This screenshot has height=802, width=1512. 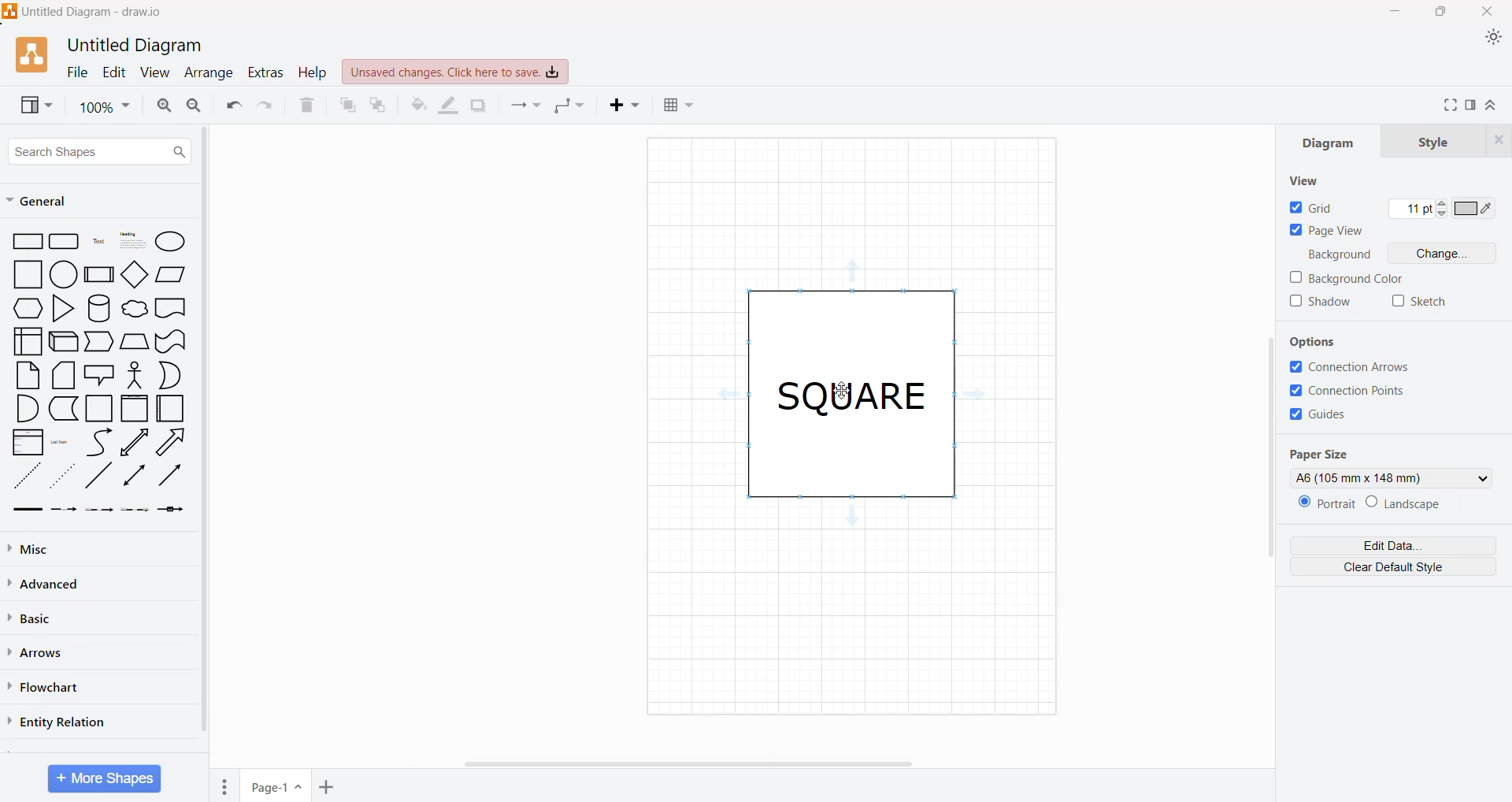 What do you see at coordinates (233, 104) in the screenshot?
I see `Undo` at bounding box center [233, 104].